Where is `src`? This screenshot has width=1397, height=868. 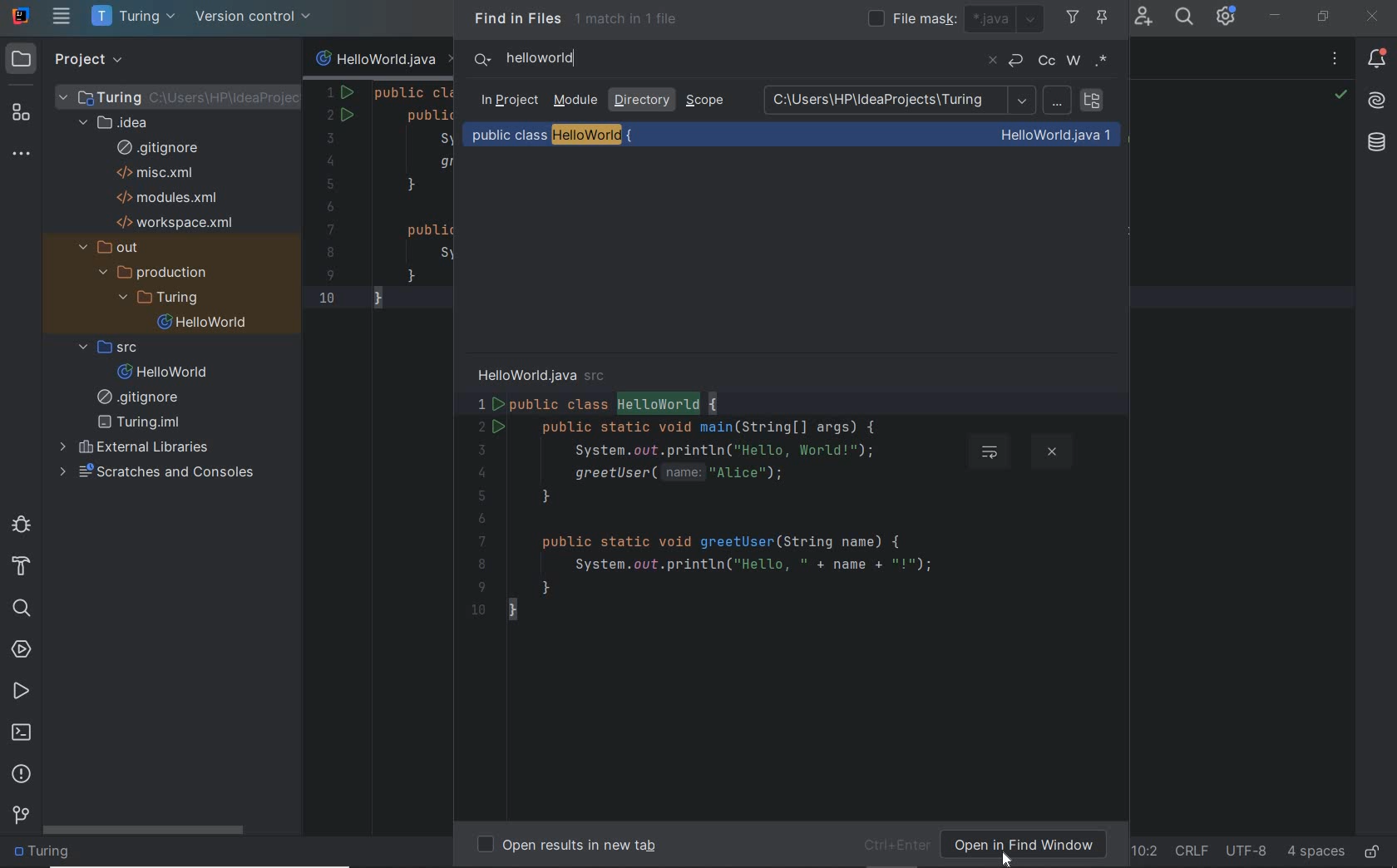
src is located at coordinates (114, 346).